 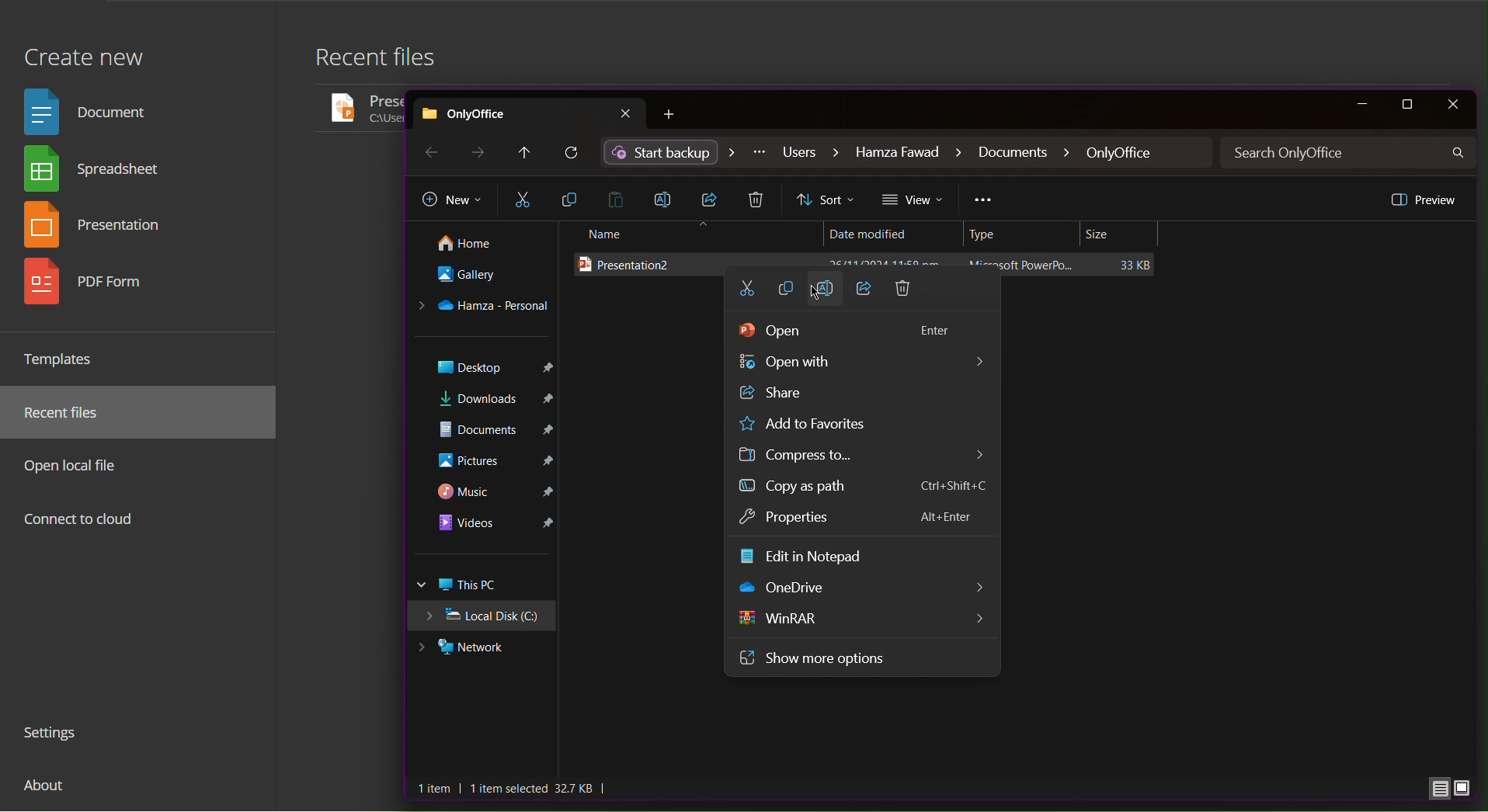 I want to click on Rename, so click(x=829, y=295).